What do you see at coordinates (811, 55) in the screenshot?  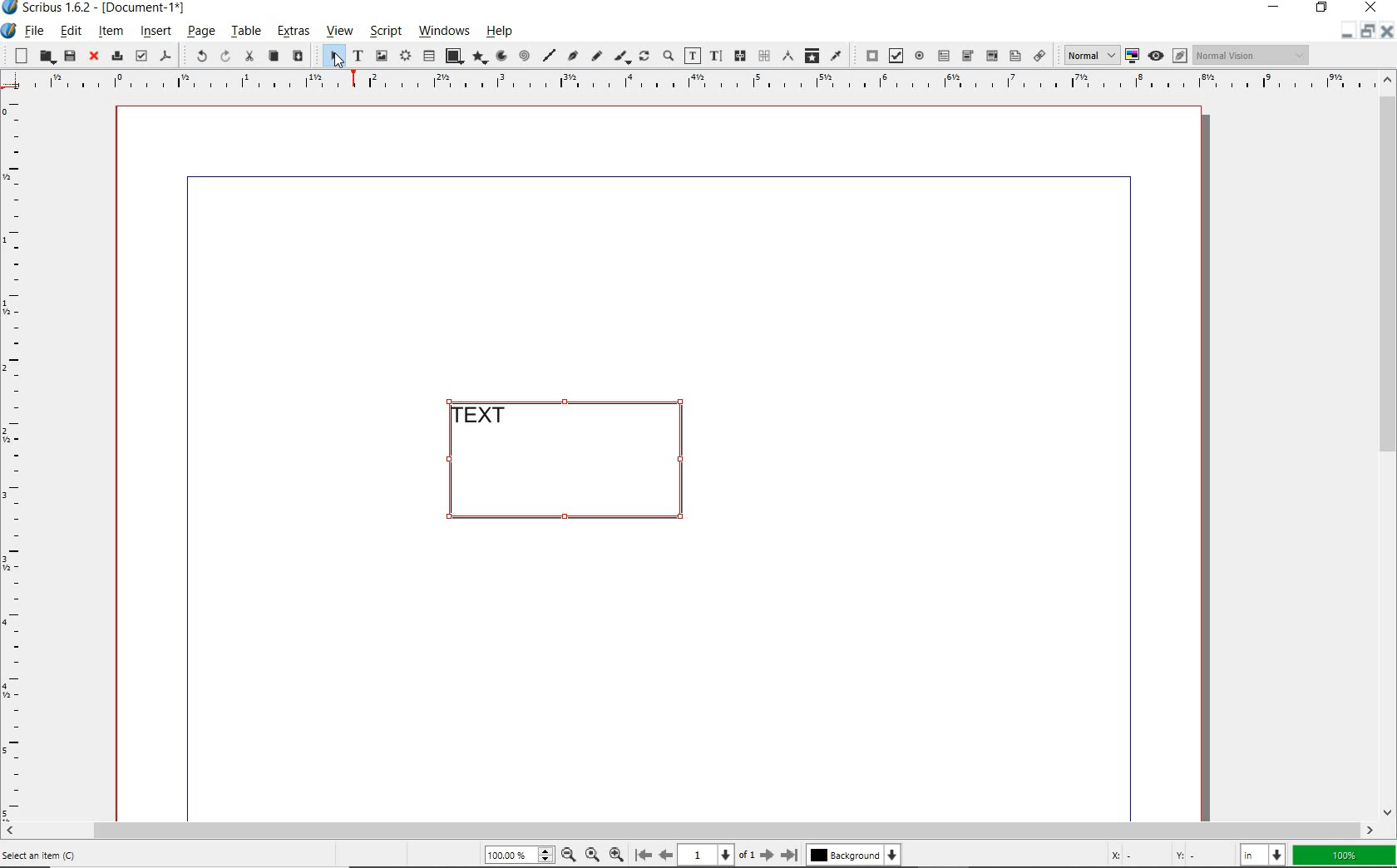 I see `copy item properties` at bounding box center [811, 55].